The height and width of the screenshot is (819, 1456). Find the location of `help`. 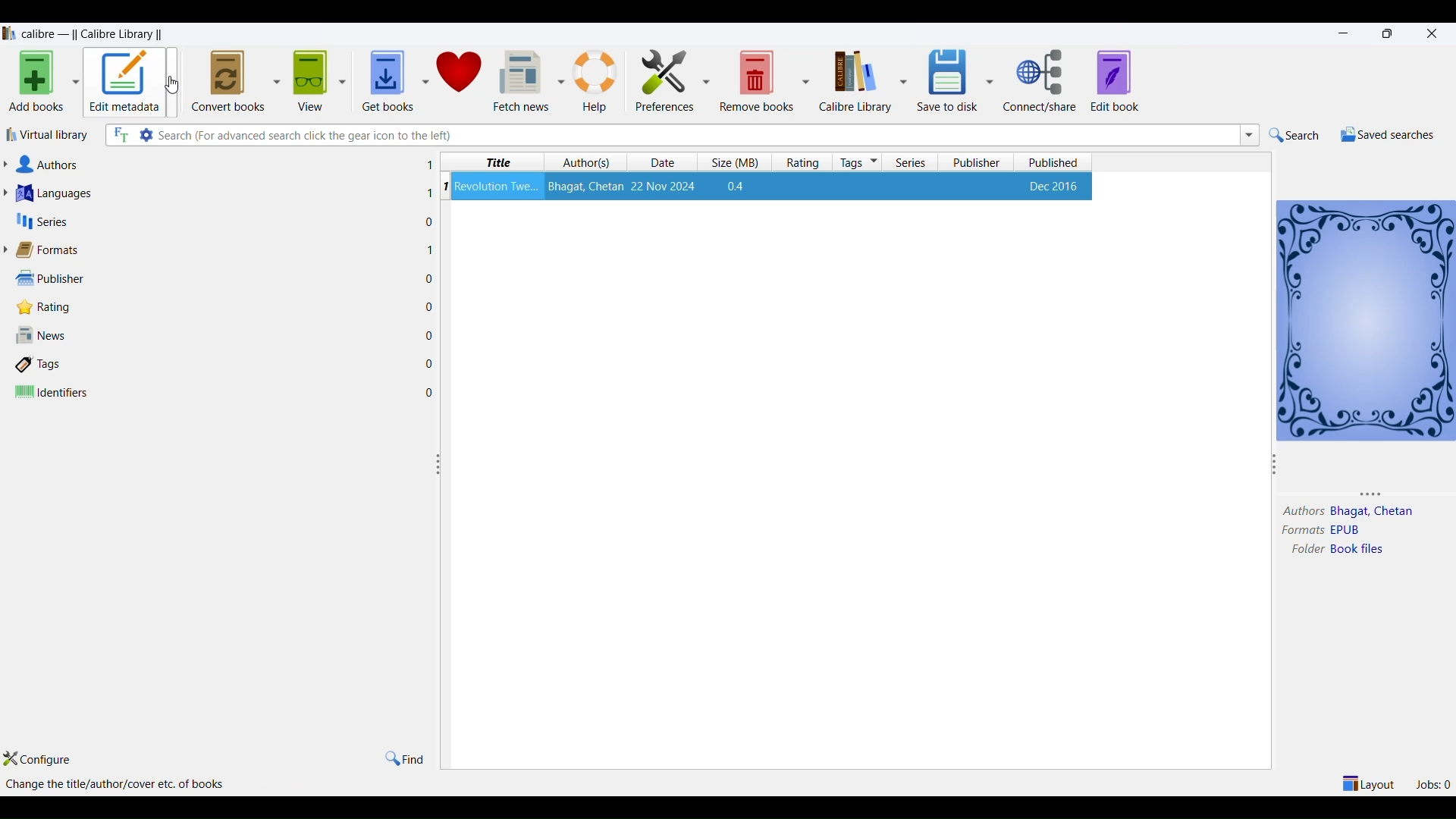

help is located at coordinates (598, 75).